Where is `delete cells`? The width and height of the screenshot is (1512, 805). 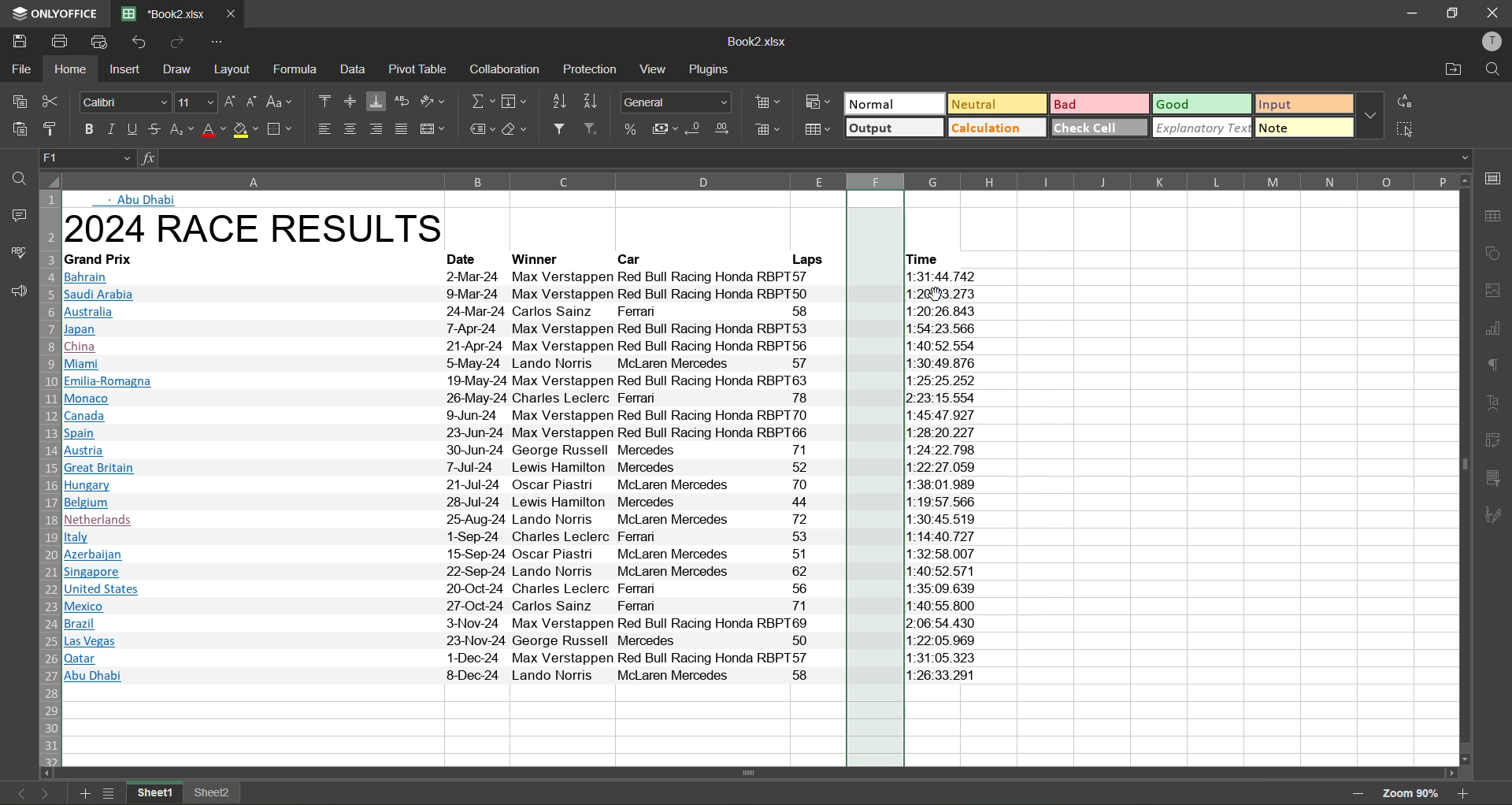
delete cells is located at coordinates (766, 129).